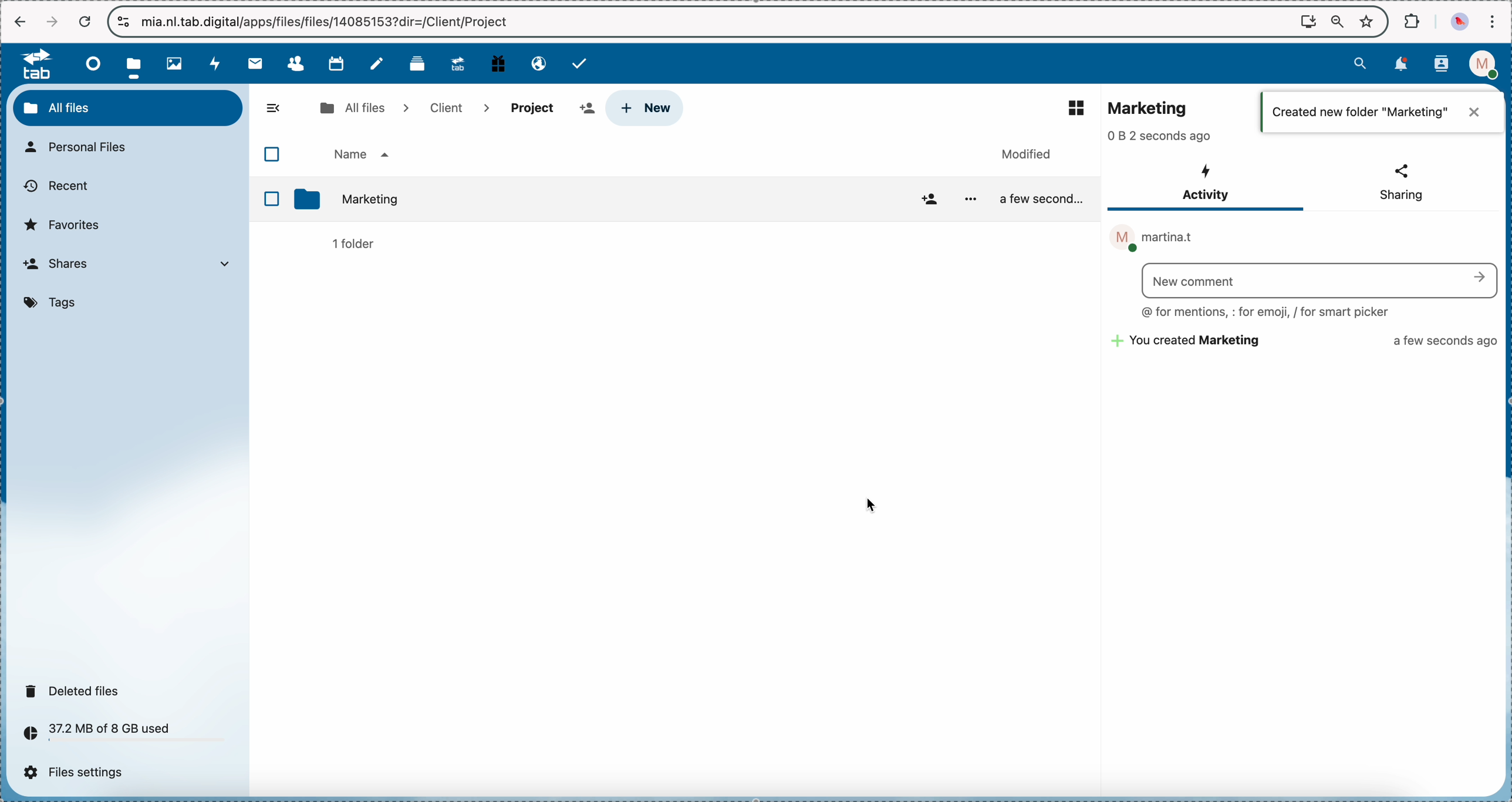 The width and height of the screenshot is (1512, 802). Describe the element at coordinates (362, 107) in the screenshot. I see `all files` at that location.